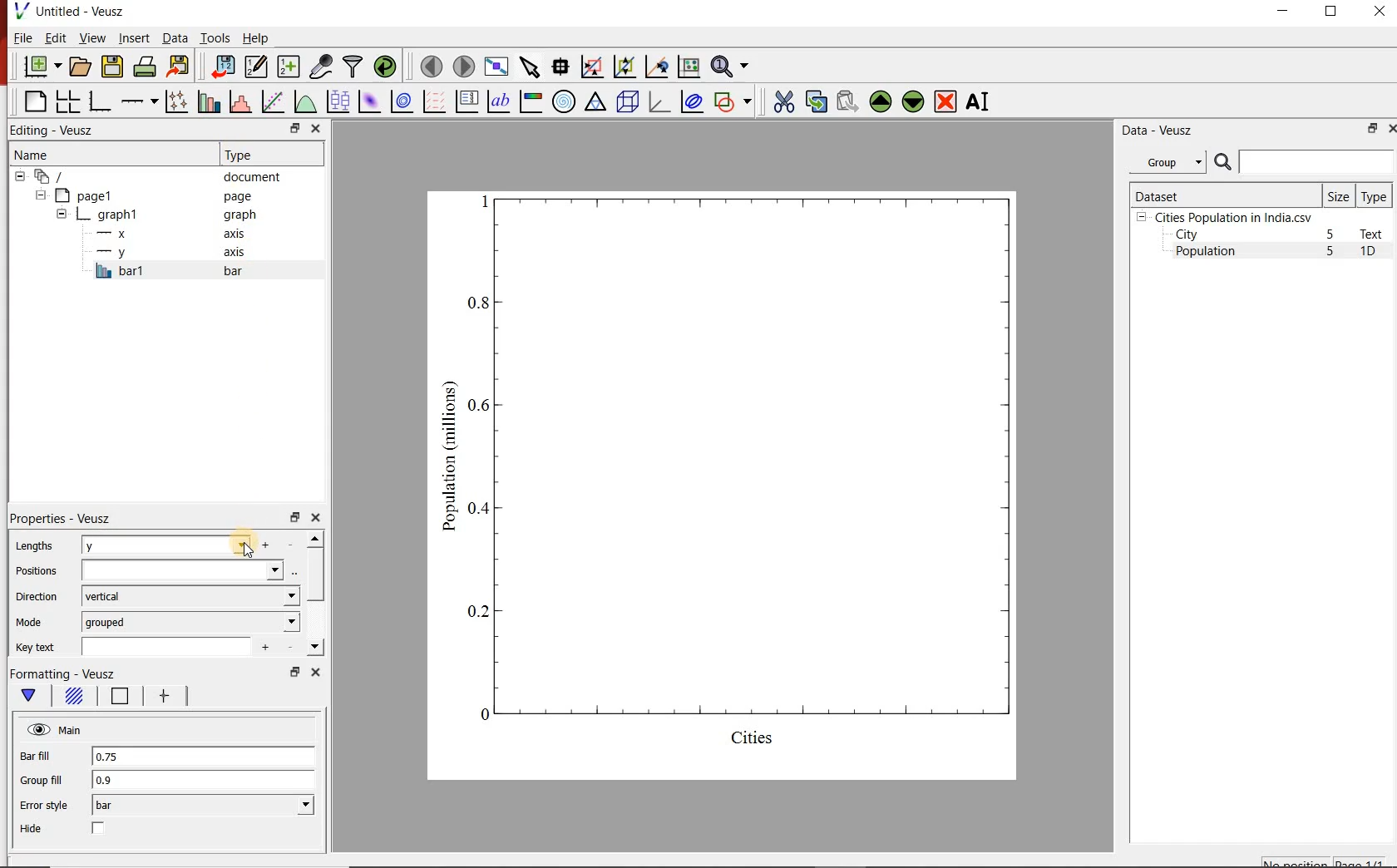  What do you see at coordinates (33, 545) in the screenshot?
I see `Lengths` at bounding box center [33, 545].